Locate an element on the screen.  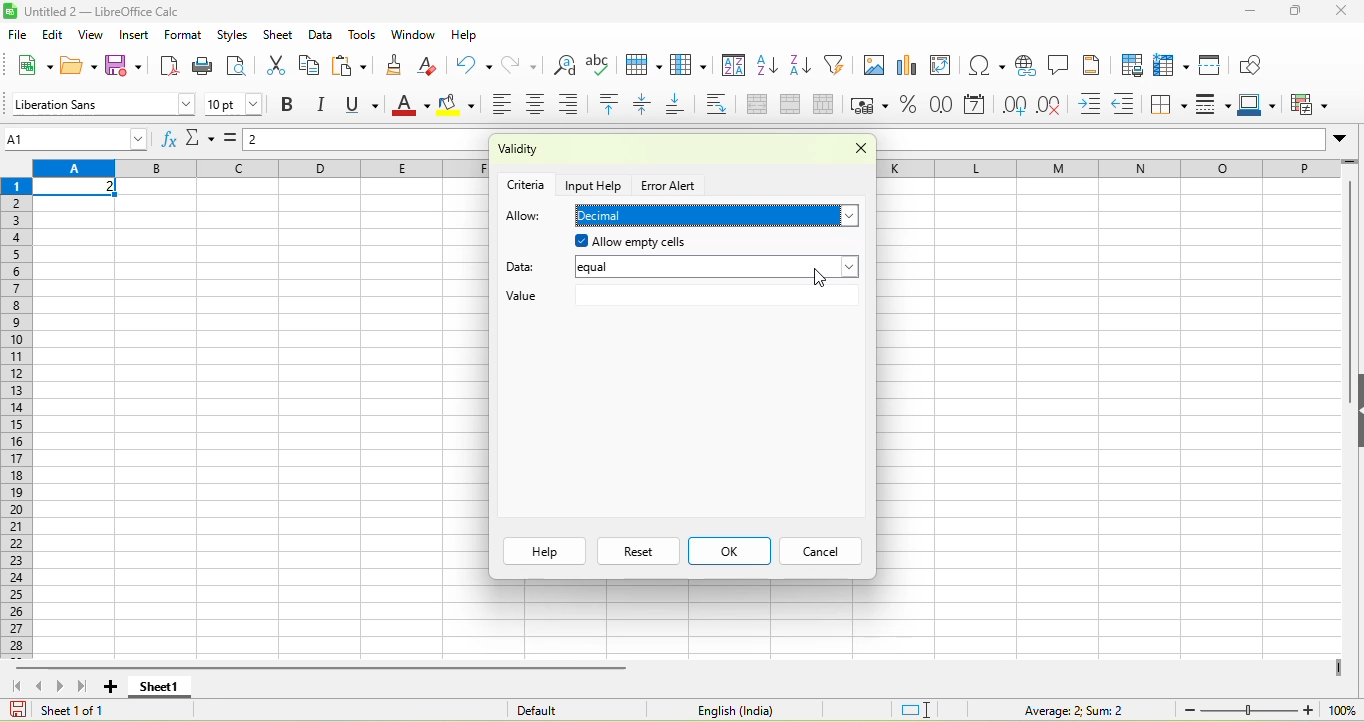
sheet is located at coordinates (278, 35).